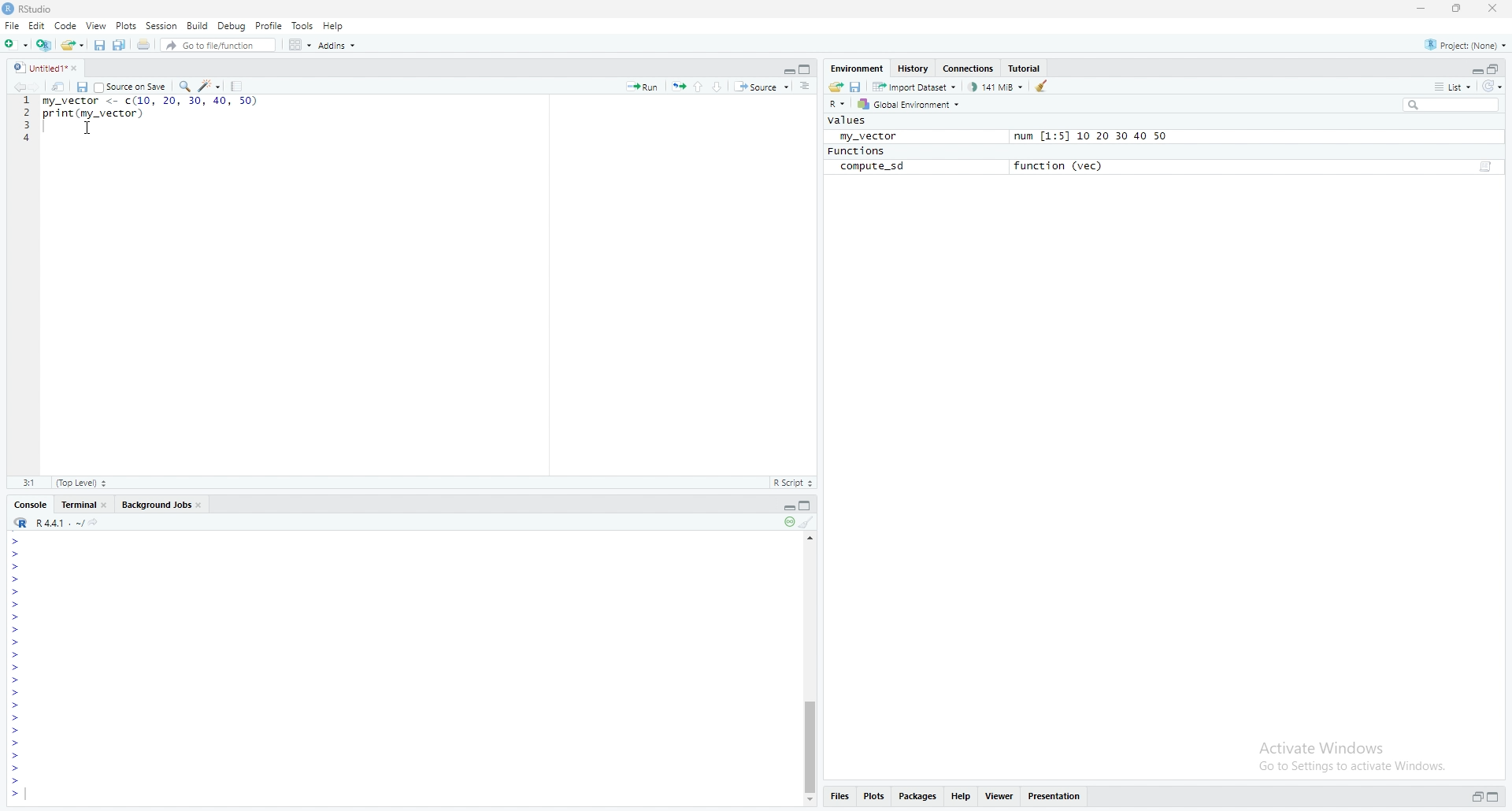 The width and height of the screenshot is (1512, 811). Describe the element at coordinates (31, 482) in the screenshot. I see `3:1` at that location.